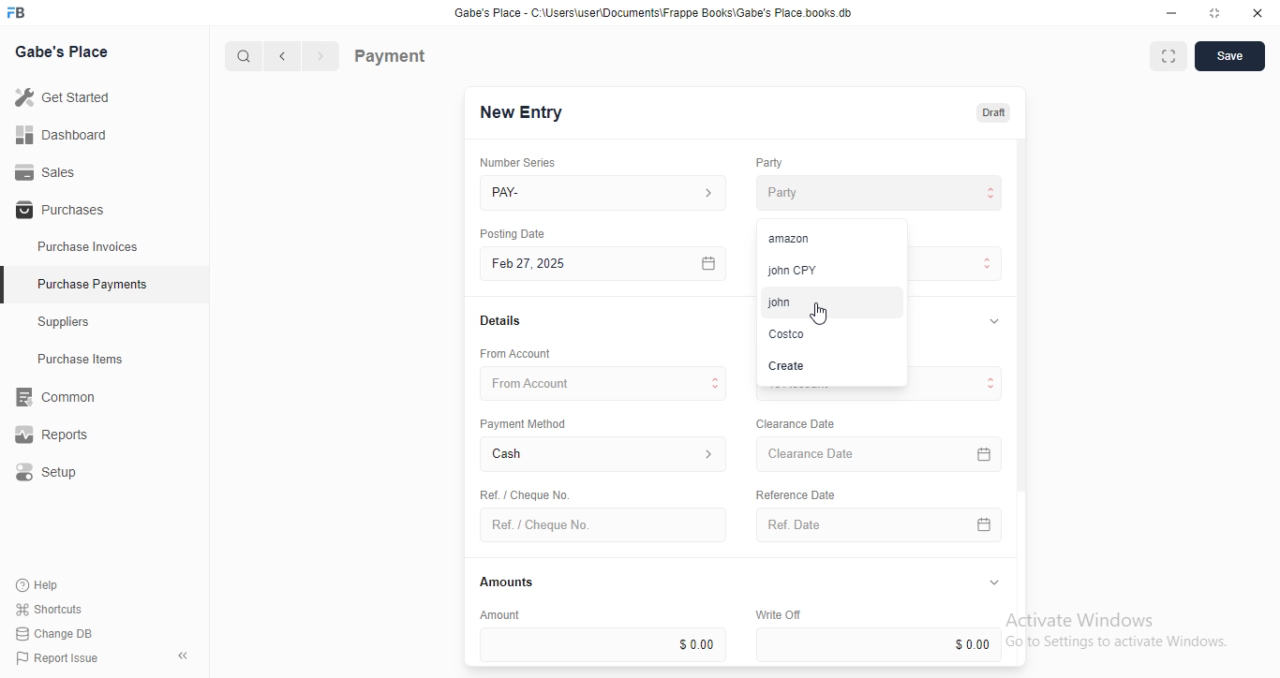  Describe the element at coordinates (514, 353) in the screenshot. I see `‘From Account` at that location.